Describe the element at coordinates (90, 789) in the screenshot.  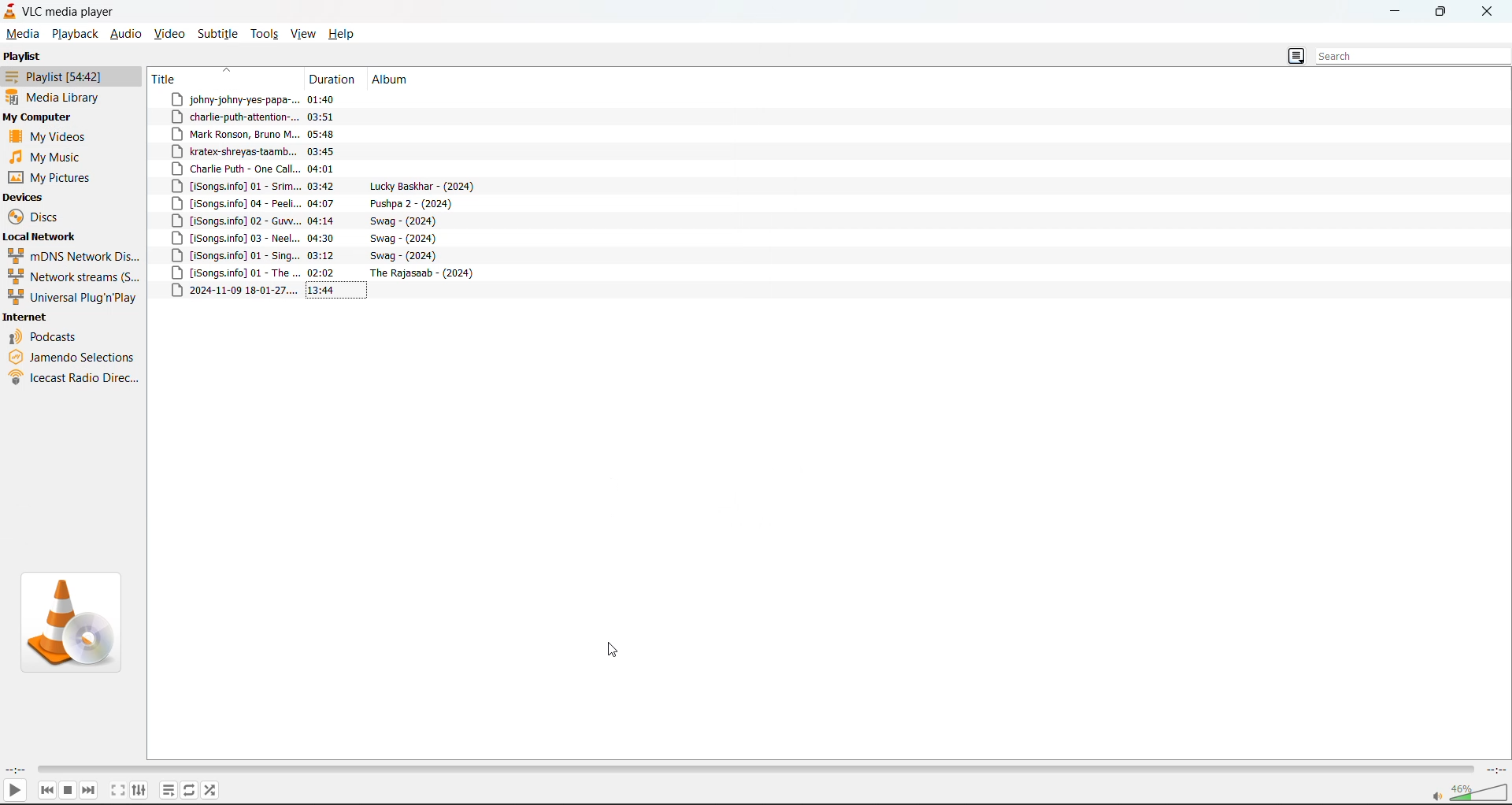
I see `next` at that location.